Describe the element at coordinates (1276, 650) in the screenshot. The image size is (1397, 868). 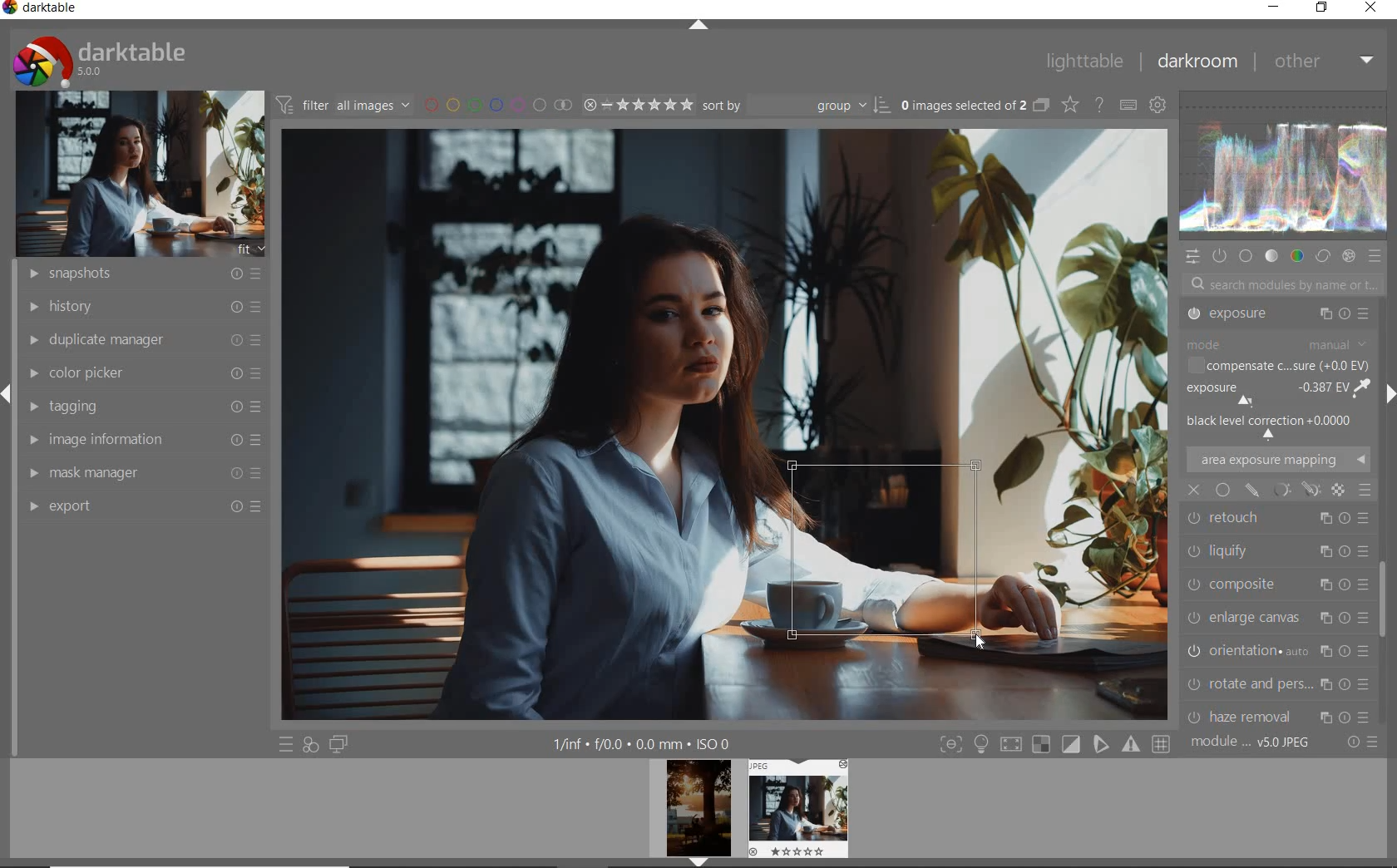
I see `CHROMATIC ABER` at that location.